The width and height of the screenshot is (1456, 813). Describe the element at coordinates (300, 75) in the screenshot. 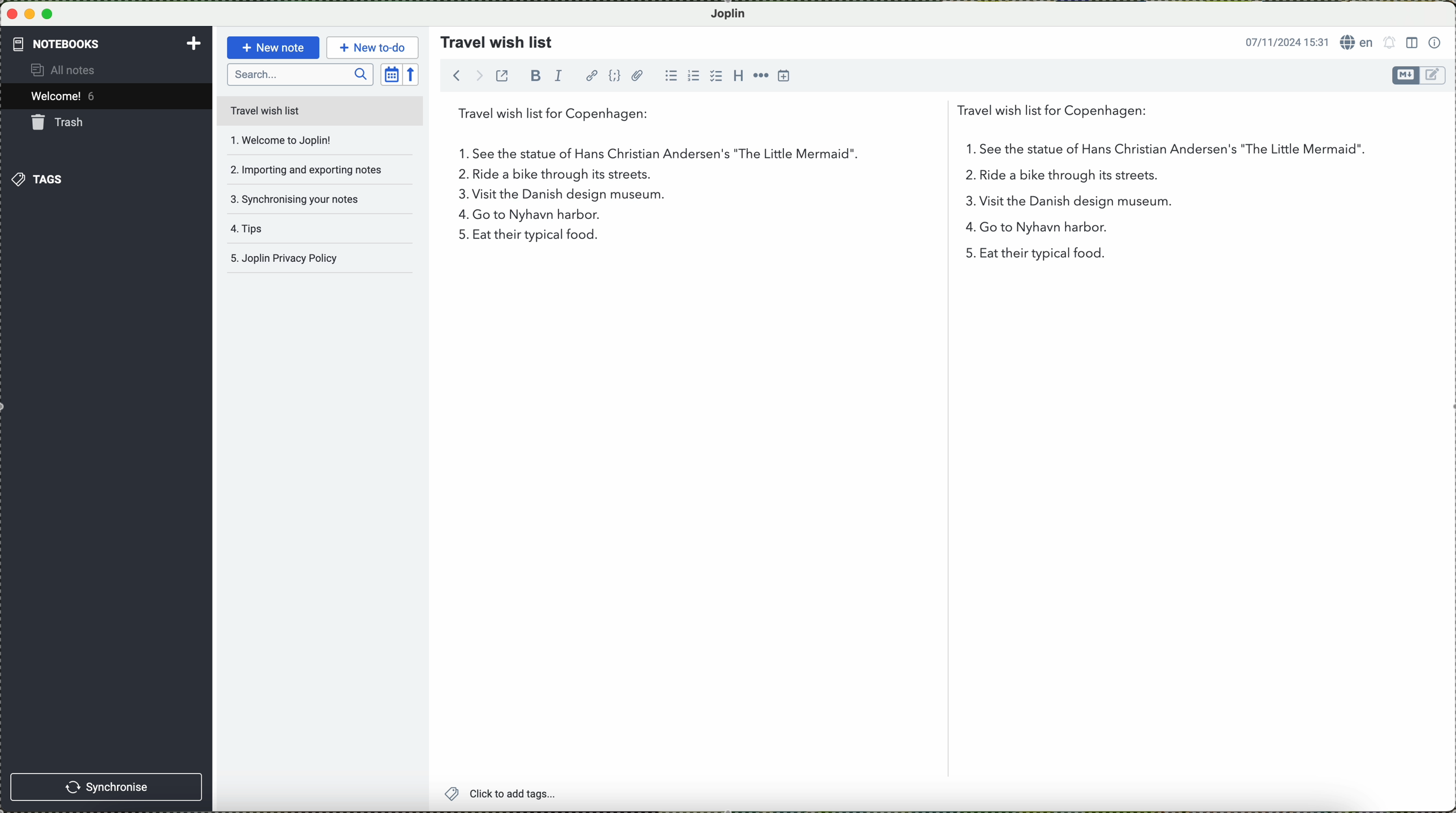

I see `search bar` at that location.